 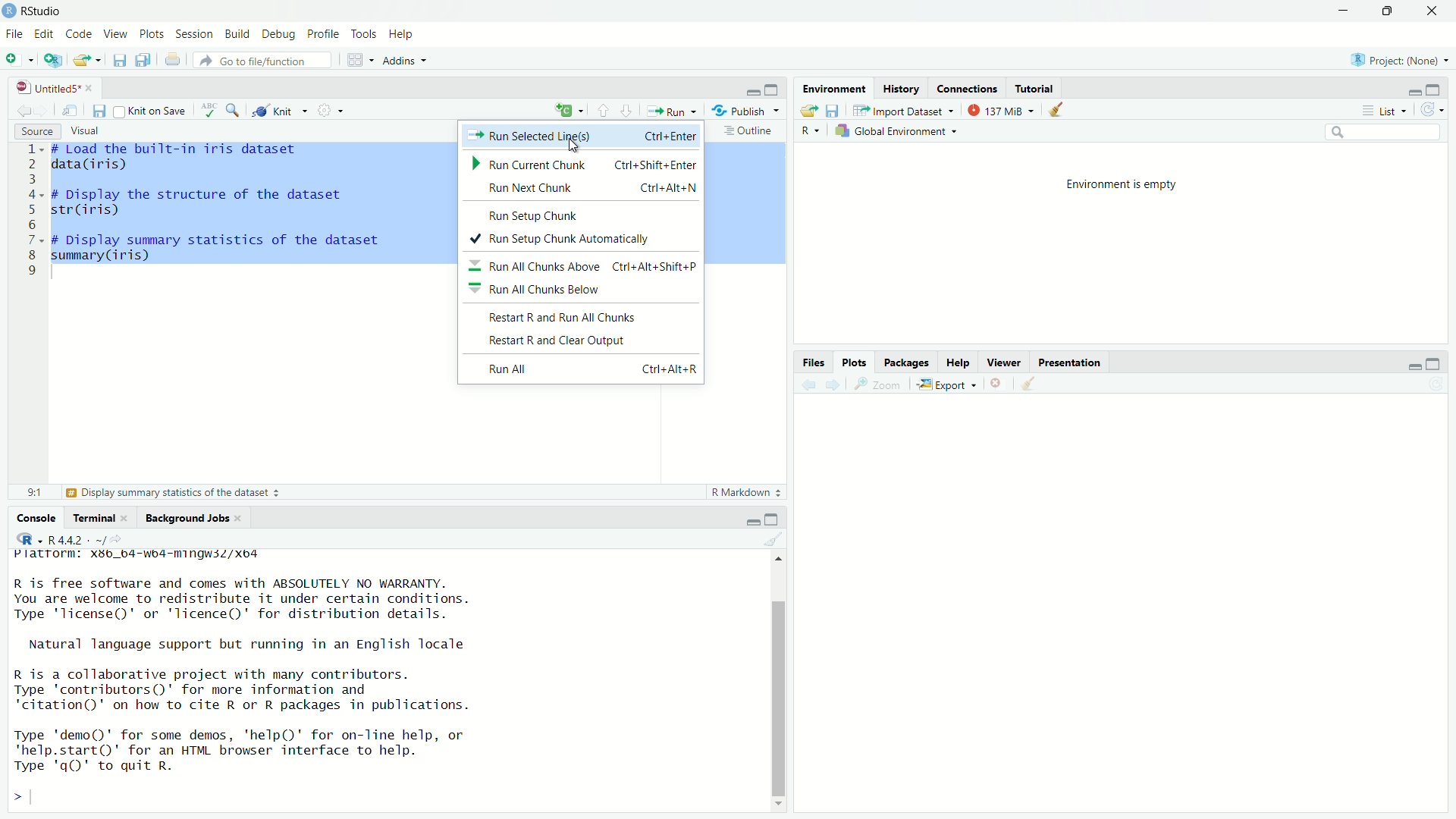 What do you see at coordinates (1432, 10) in the screenshot?
I see `Close` at bounding box center [1432, 10].